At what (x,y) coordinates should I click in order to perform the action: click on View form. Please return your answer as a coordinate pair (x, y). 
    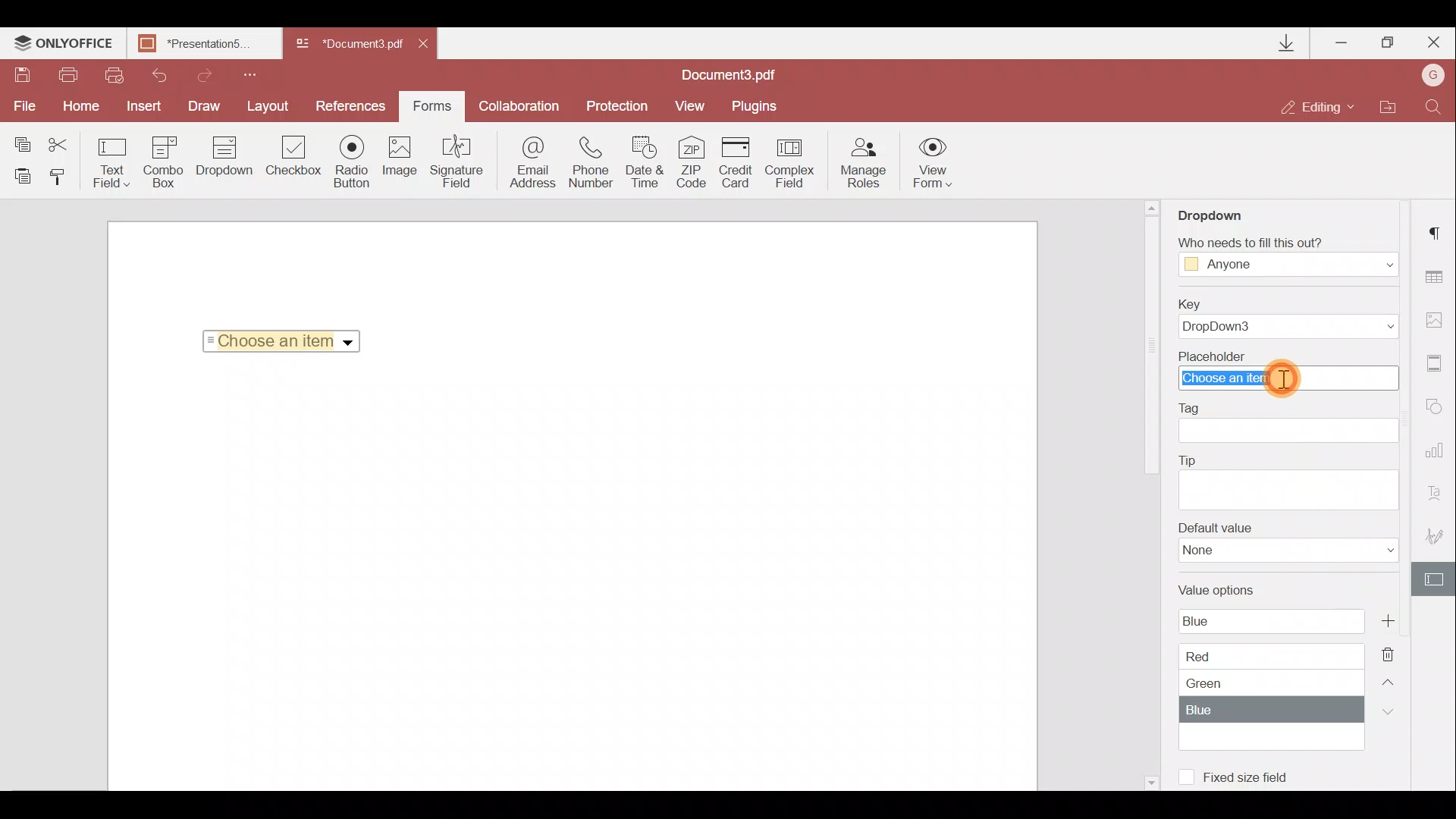
    Looking at the image, I should click on (931, 162).